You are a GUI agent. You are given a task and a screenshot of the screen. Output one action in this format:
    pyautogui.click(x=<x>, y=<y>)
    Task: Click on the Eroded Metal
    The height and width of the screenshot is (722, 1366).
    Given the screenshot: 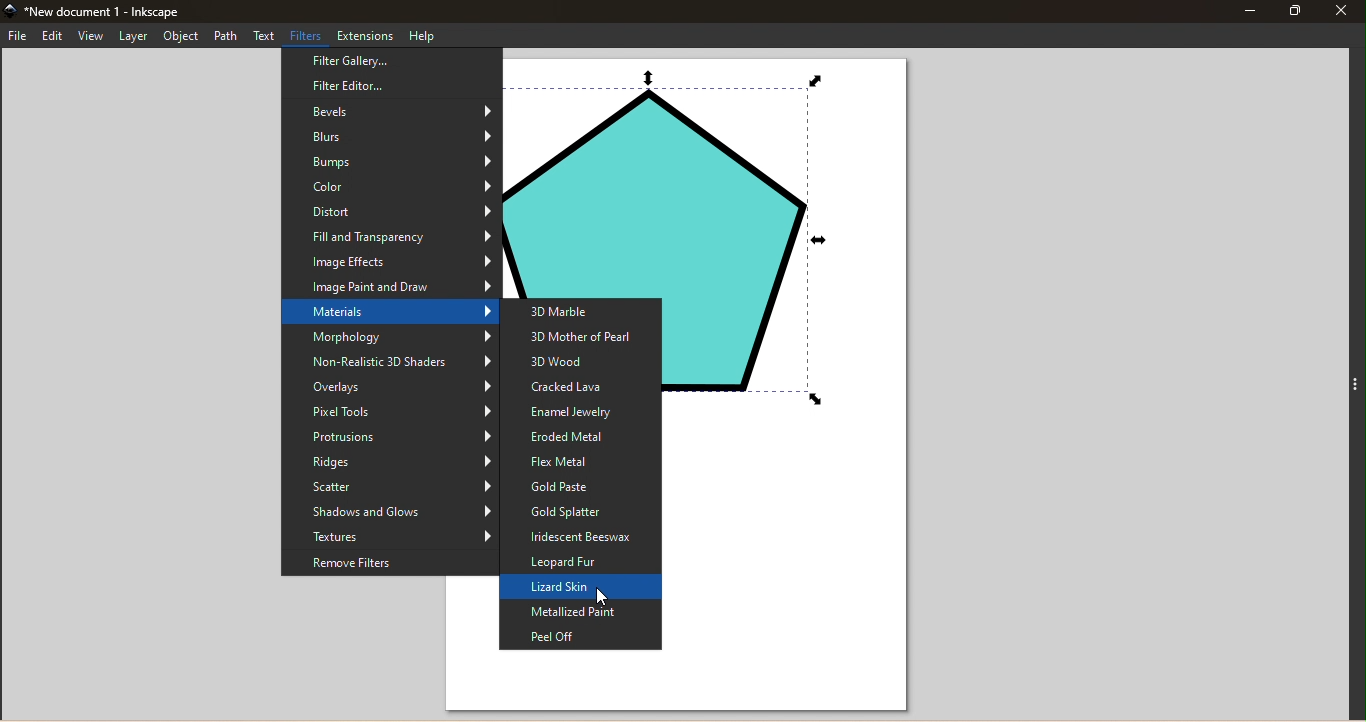 What is the action you would take?
    pyautogui.click(x=580, y=437)
    